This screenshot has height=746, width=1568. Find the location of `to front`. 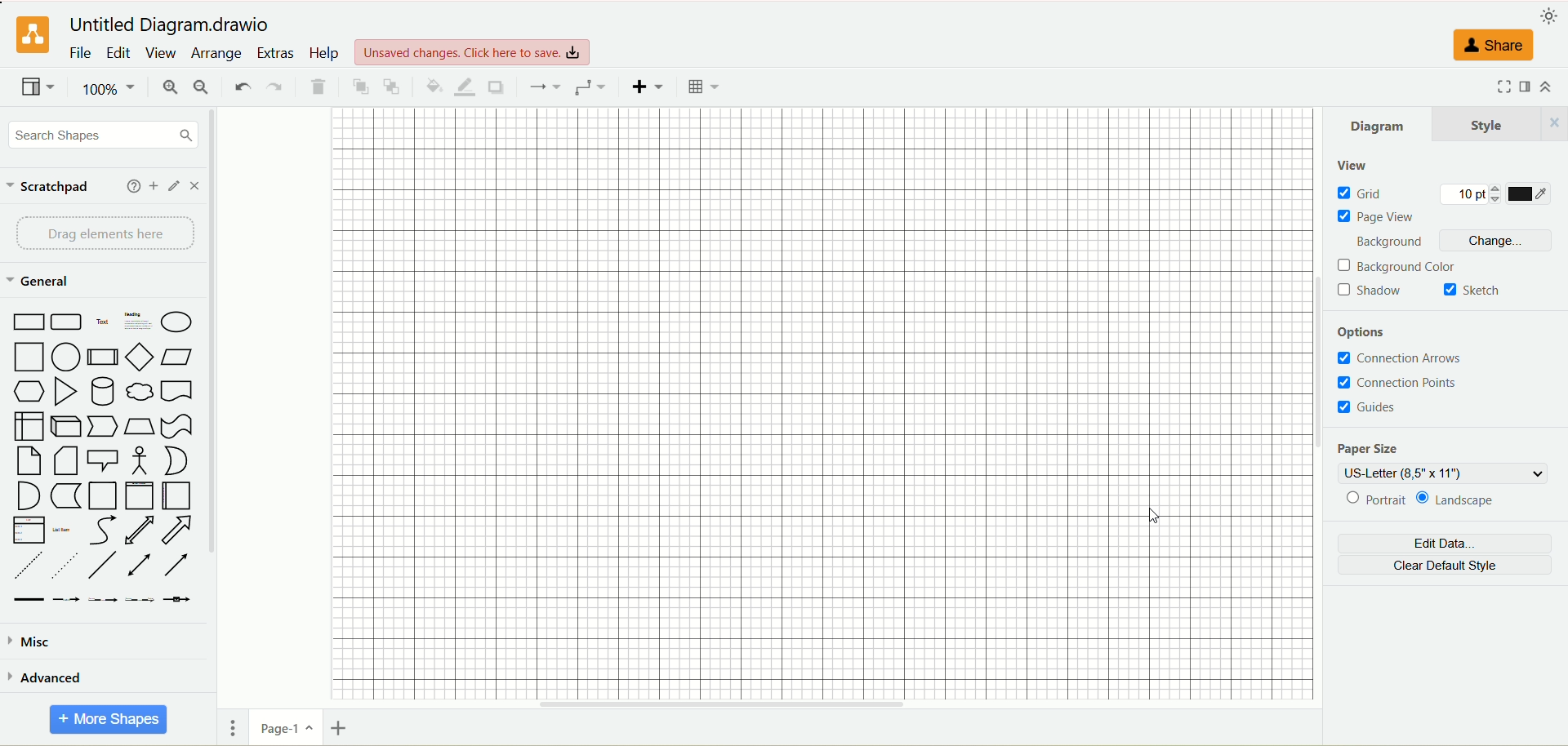

to front is located at coordinates (359, 87).